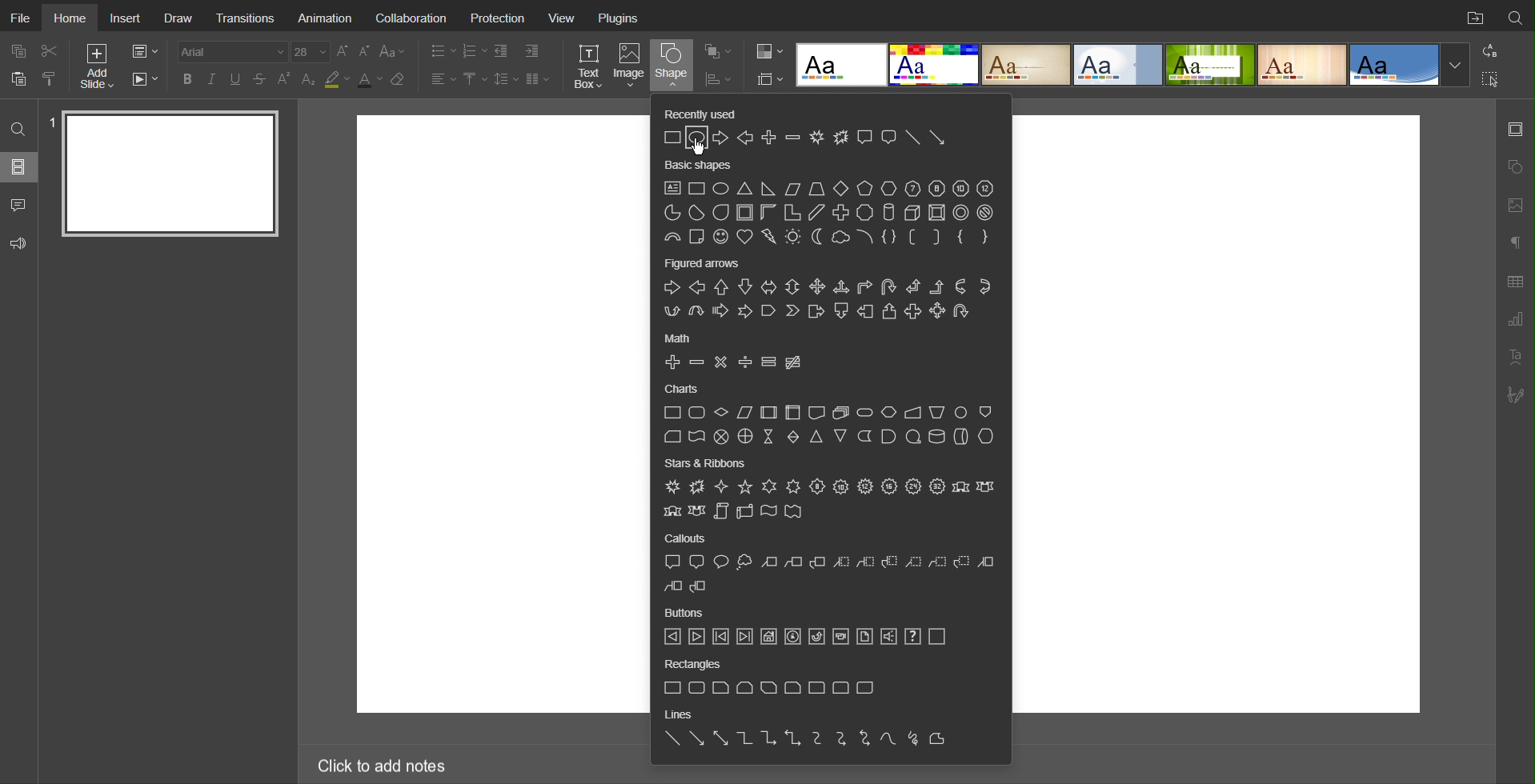 The image size is (1535, 784). I want to click on Columns, so click(539, 78).